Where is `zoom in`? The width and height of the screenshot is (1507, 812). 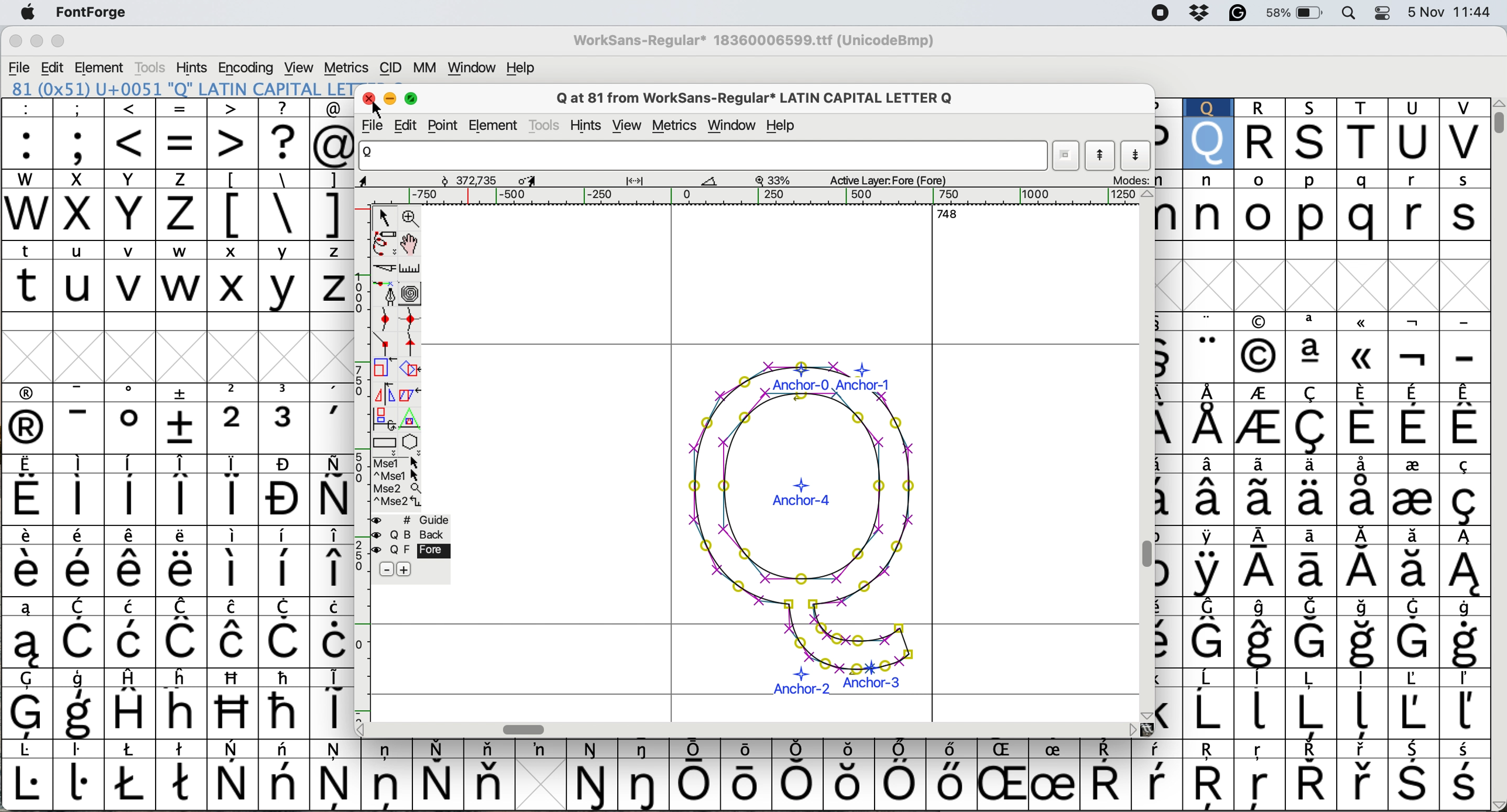 zoom in is located at coordinates (411, 219).